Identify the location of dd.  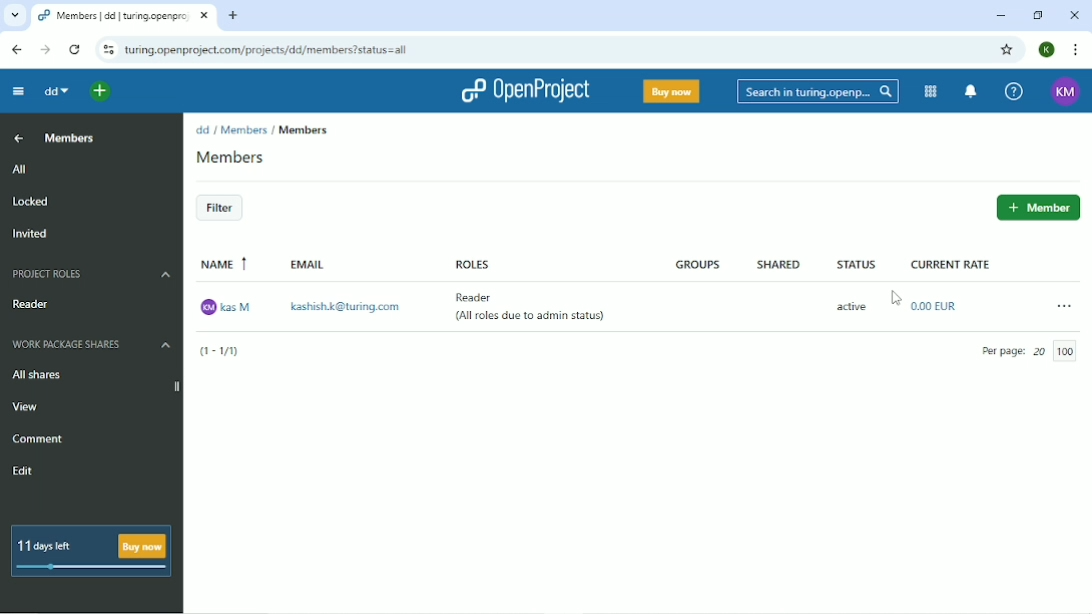
(202, 130).